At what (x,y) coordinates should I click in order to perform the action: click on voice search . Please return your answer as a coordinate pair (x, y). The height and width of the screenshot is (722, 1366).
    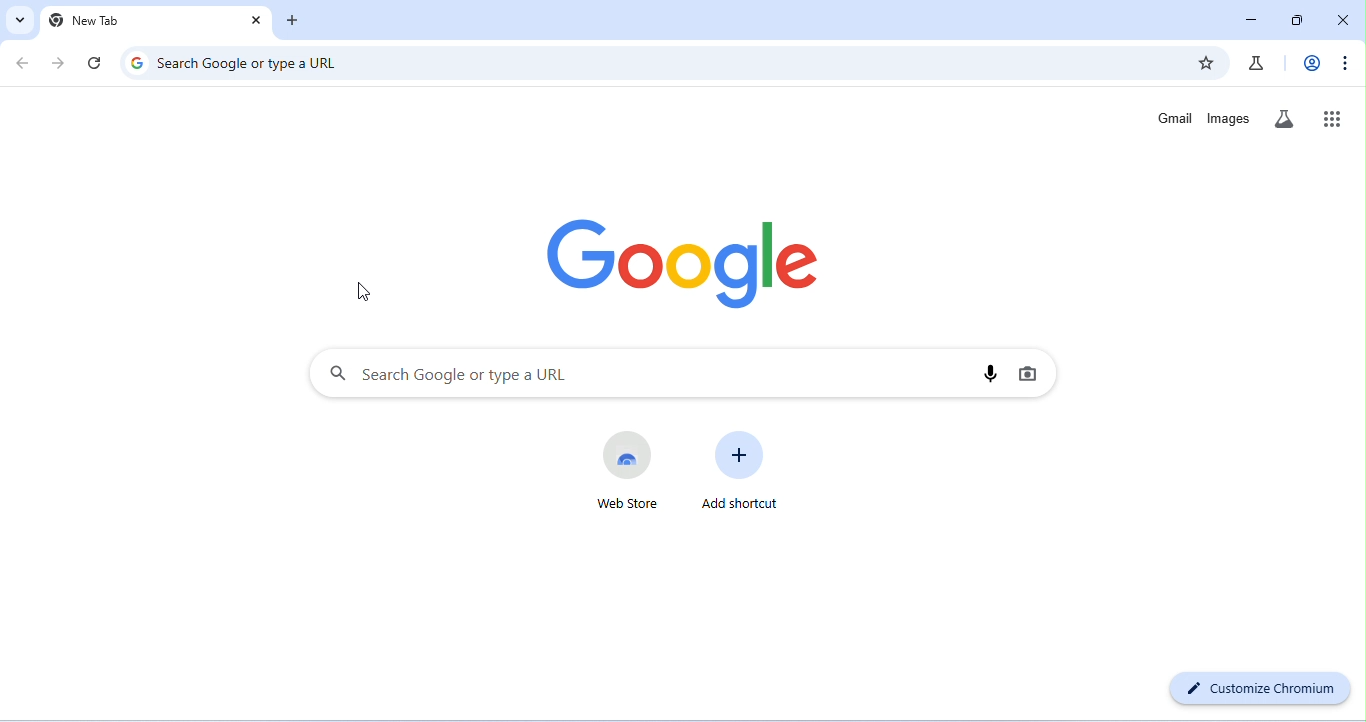
    Looking at the image, I should click on (989, 374).